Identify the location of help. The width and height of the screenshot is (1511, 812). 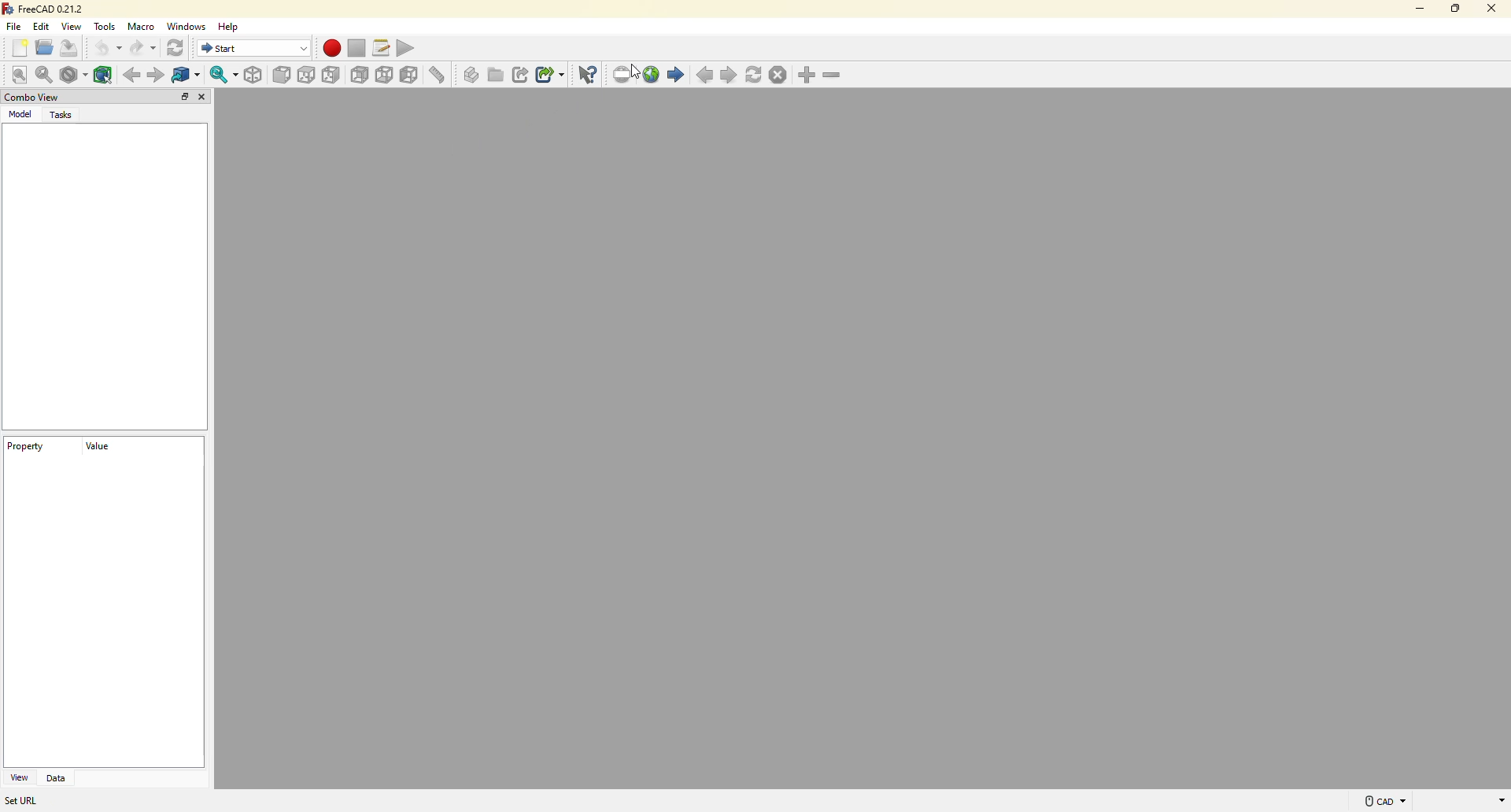
(233, 25).